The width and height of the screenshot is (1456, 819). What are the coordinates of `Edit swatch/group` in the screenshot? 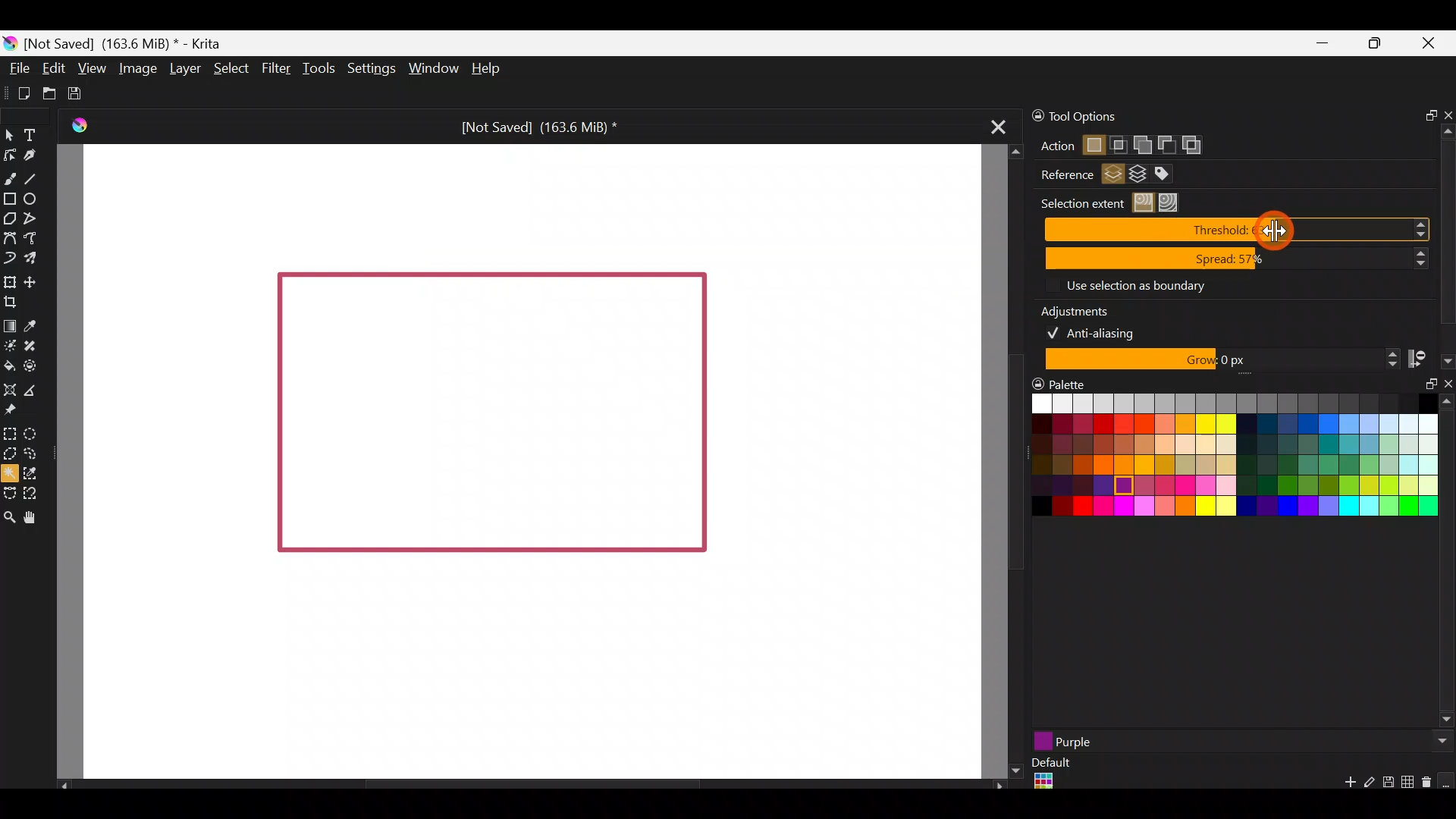 It's located at (1370, 786).